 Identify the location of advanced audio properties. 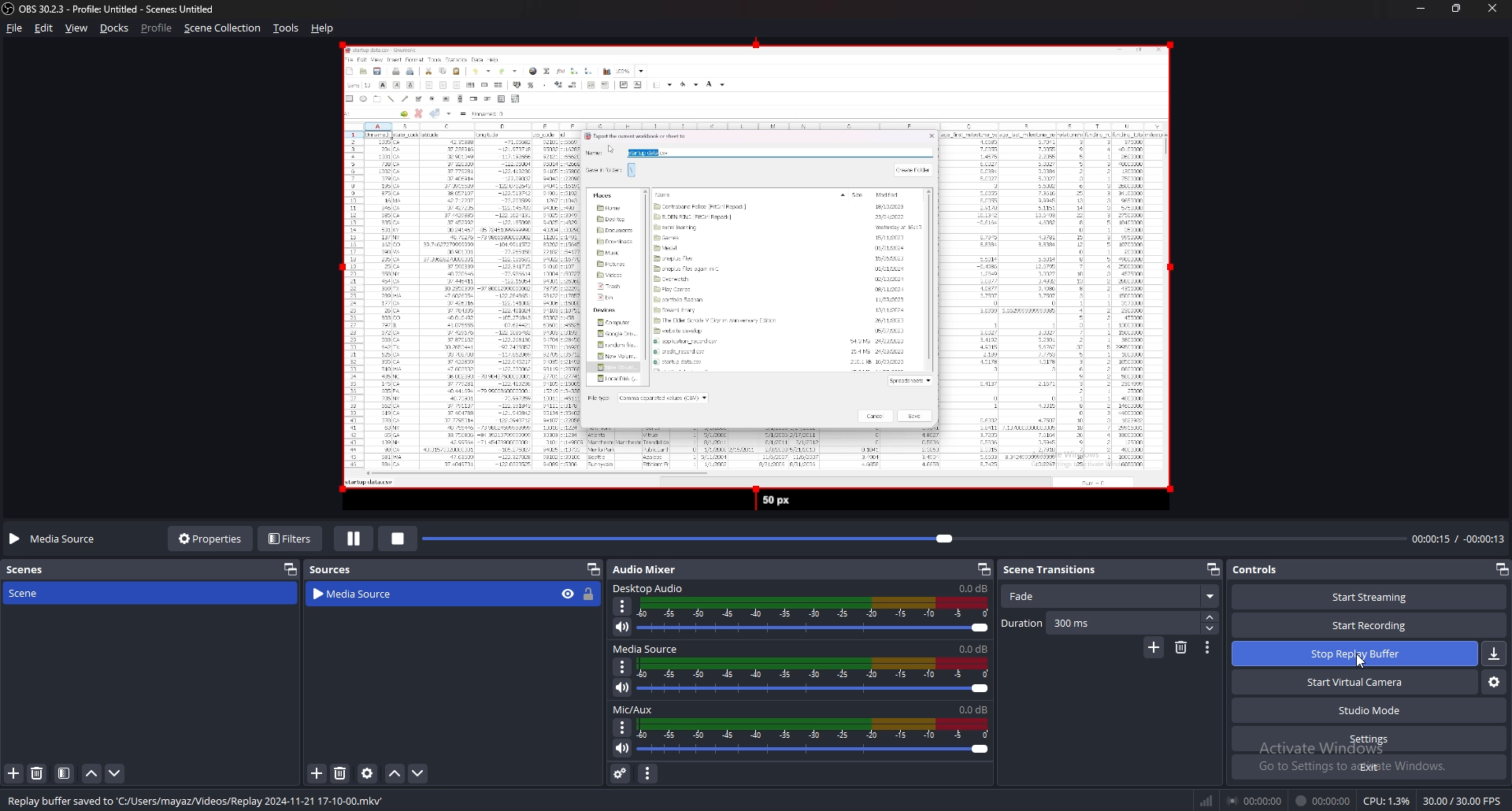
(621, 772).